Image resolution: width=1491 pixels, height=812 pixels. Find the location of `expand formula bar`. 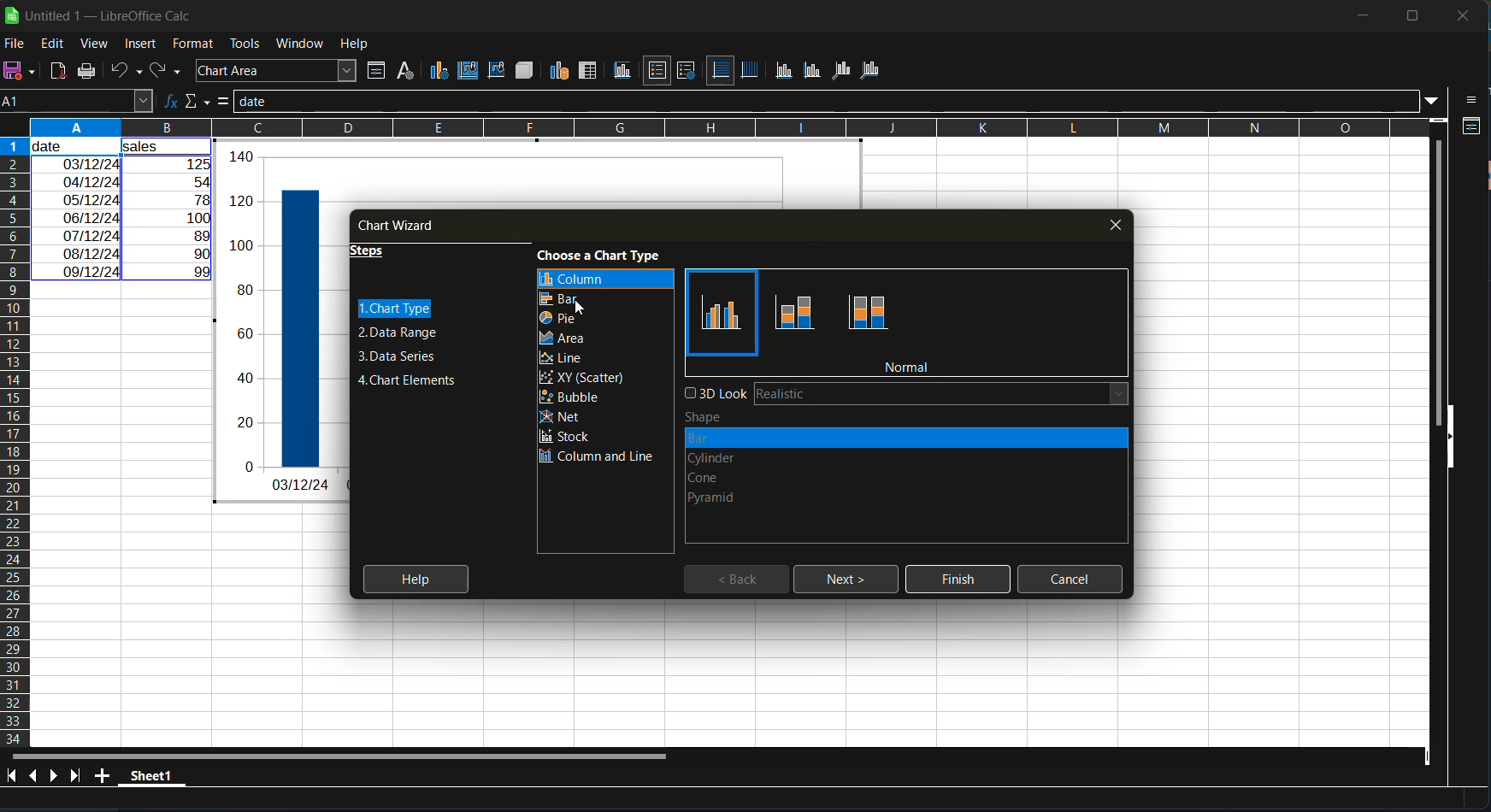

expand formula bar is located at coordinates (1434, 102).